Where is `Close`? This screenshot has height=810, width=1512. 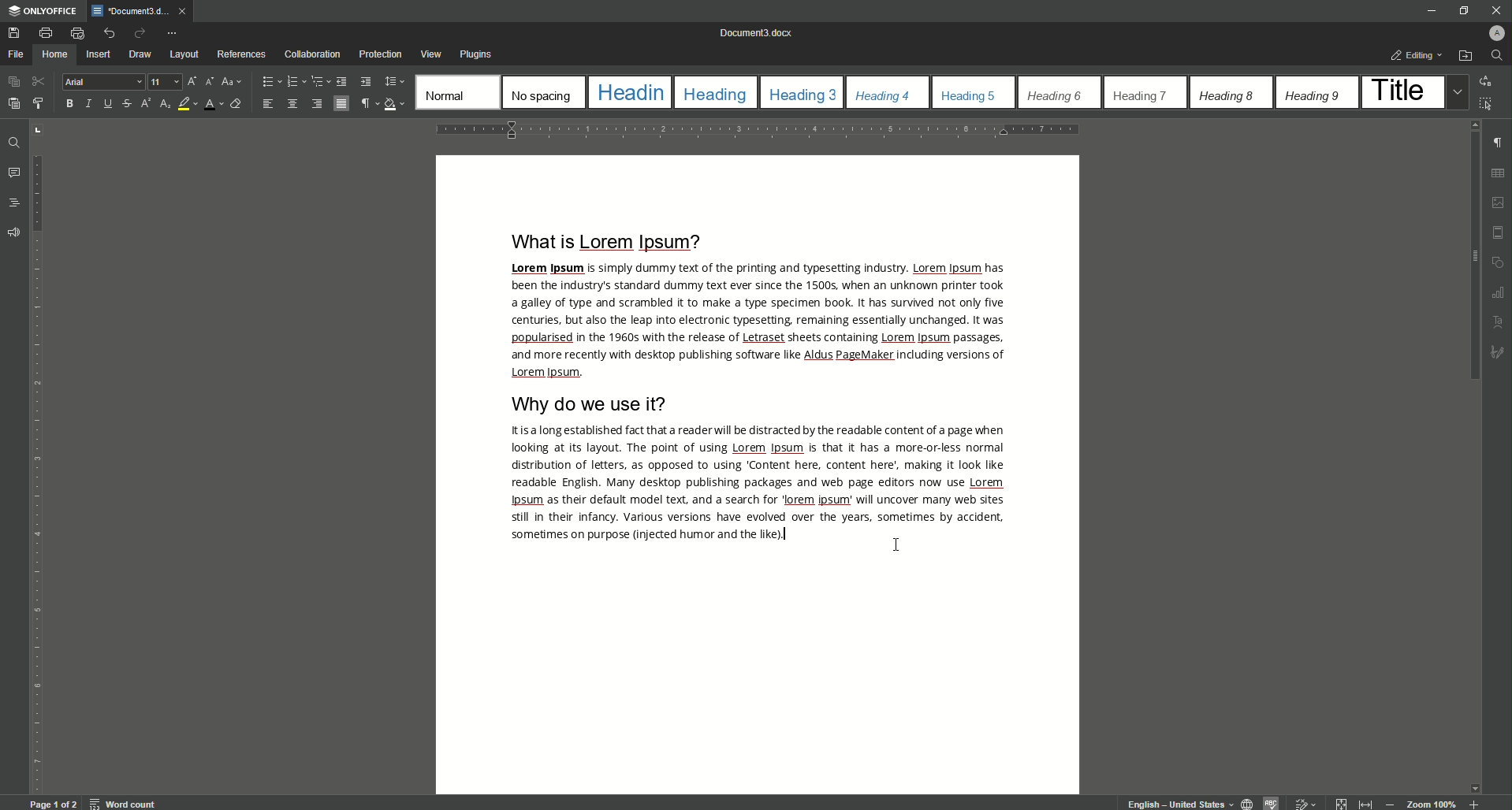
Close is located at coordinates (1494, 10).